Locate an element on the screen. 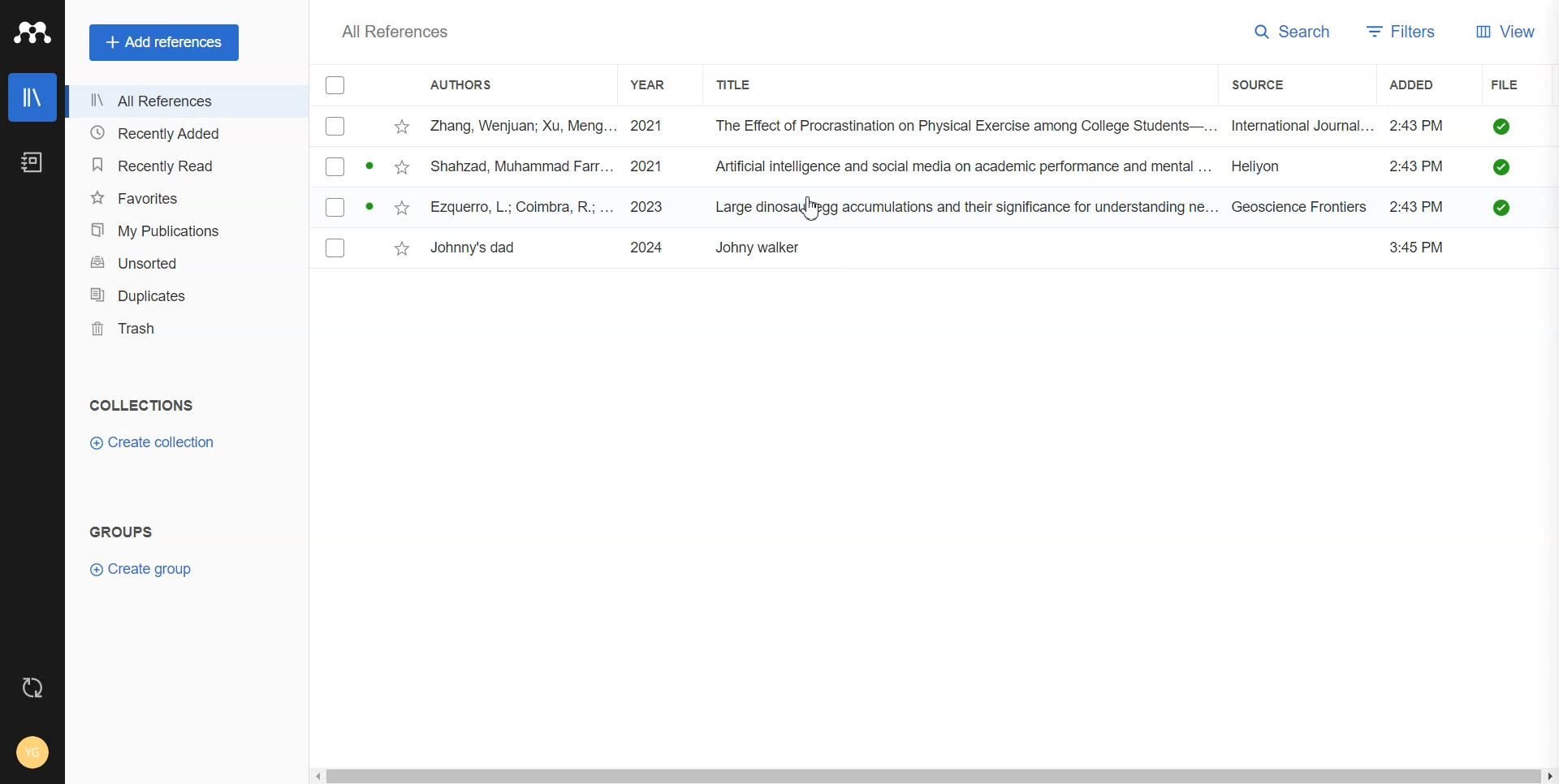  Search is located at coordinates (1294, 32).